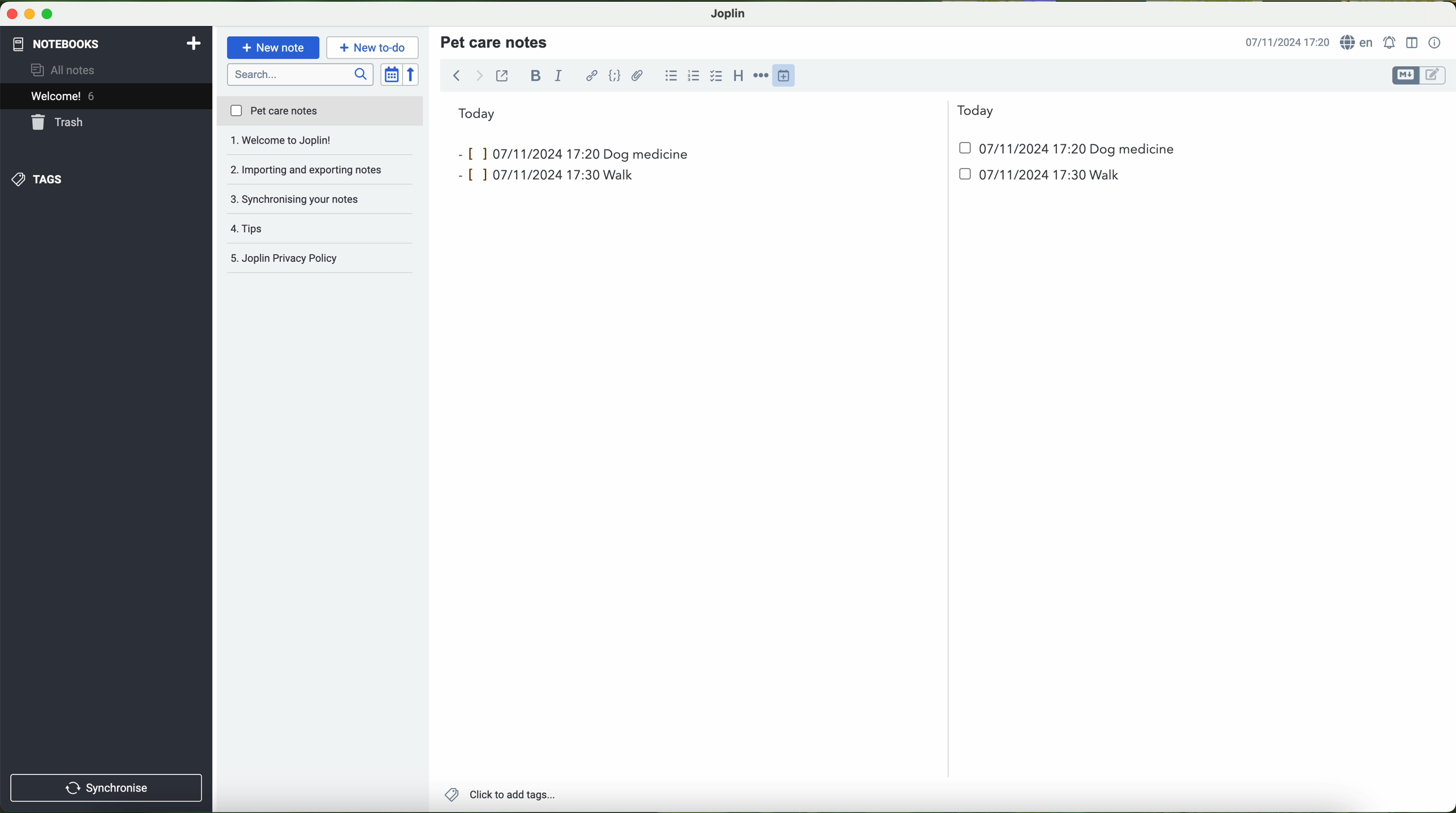  What do you see at coordinates (28, 15) in the screenshot?
I see `screen buttons` at bounding box center [28, 15].